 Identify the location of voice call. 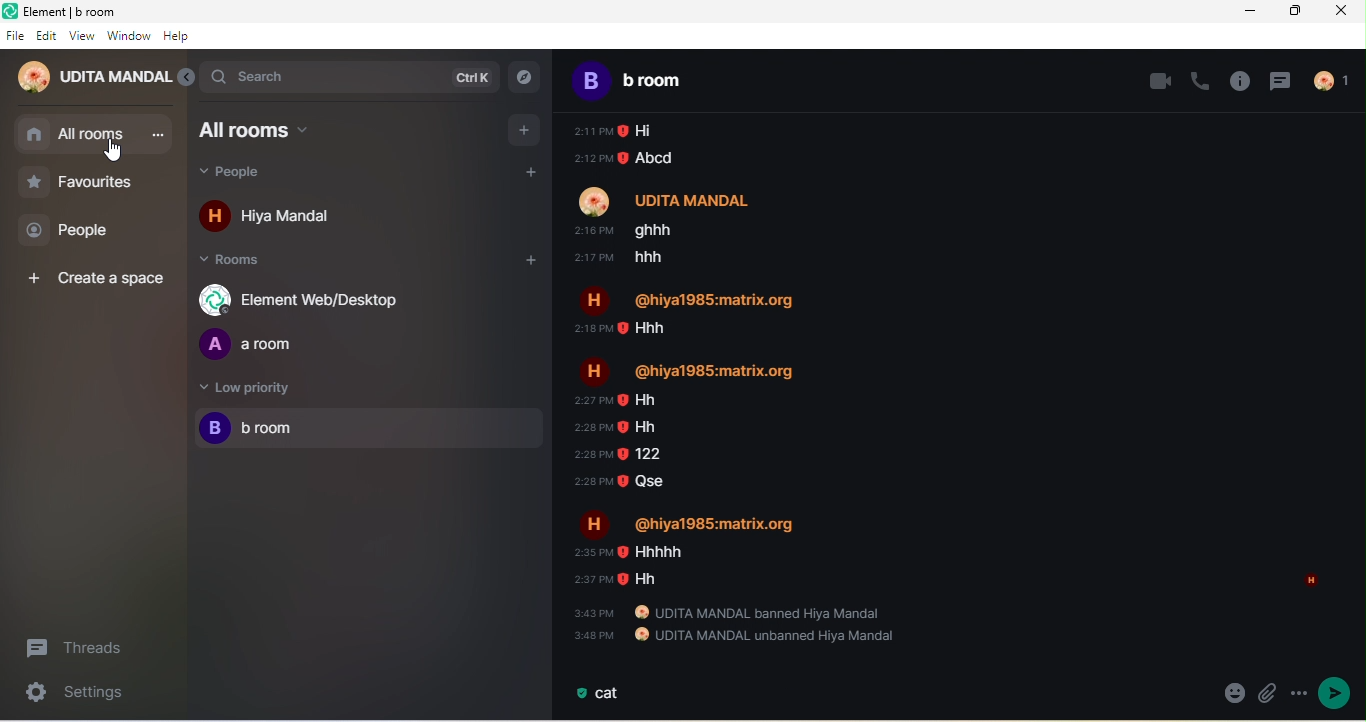
(1203, 79).